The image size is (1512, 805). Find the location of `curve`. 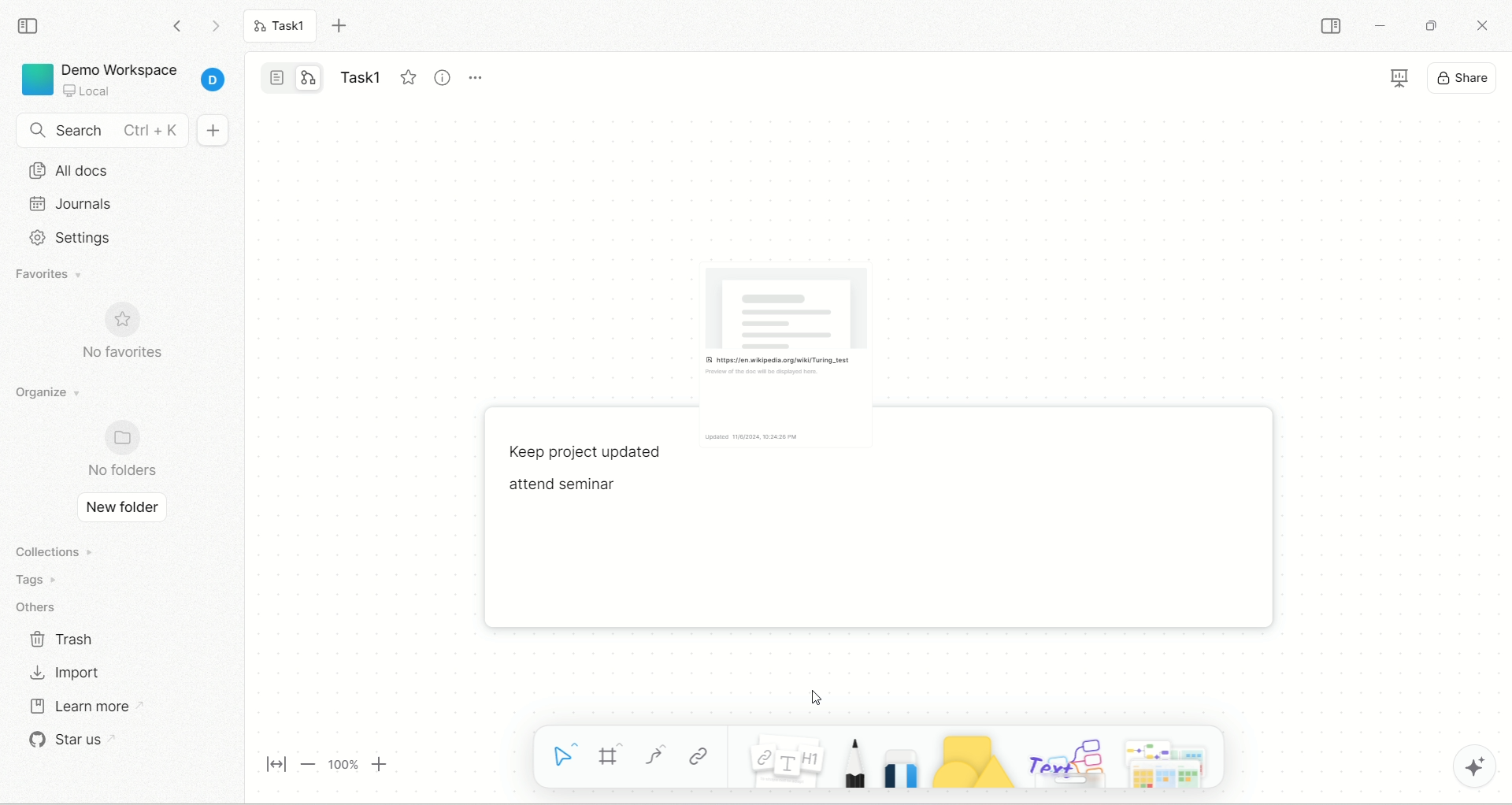

curve is located at coordinates (654, 755).